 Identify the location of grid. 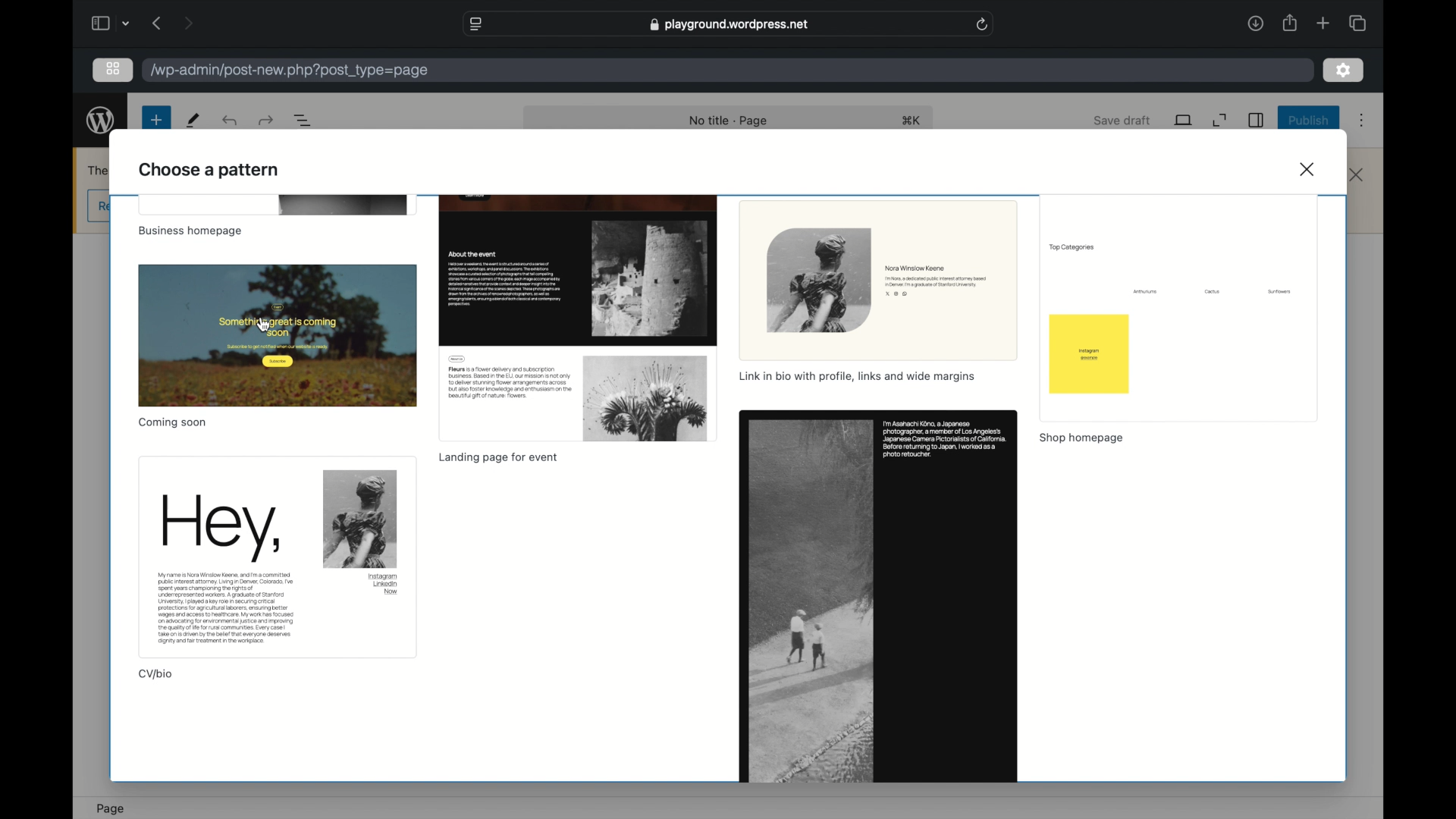
(113, 68).